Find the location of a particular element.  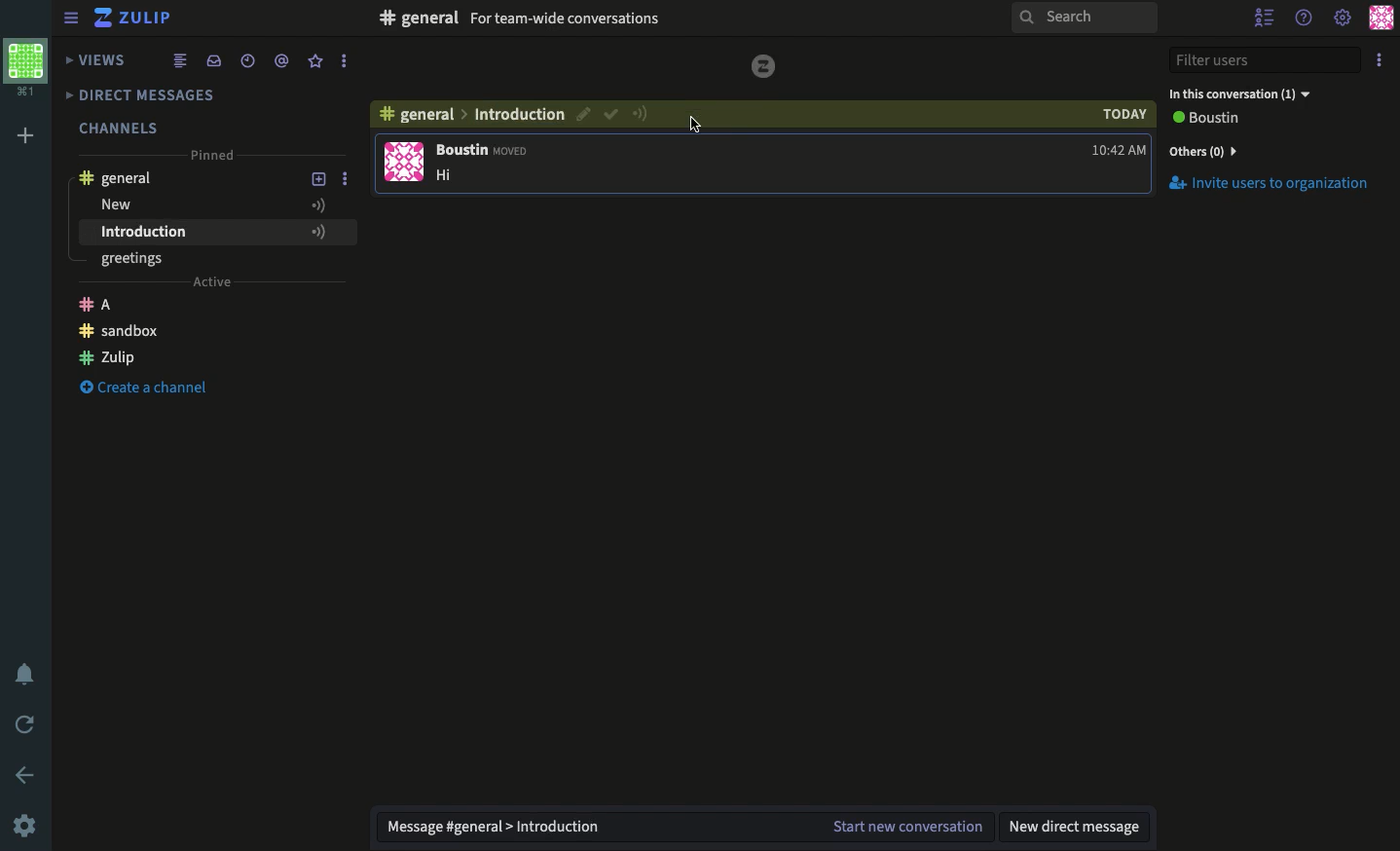

Feed is located at coordinates (182, 59).